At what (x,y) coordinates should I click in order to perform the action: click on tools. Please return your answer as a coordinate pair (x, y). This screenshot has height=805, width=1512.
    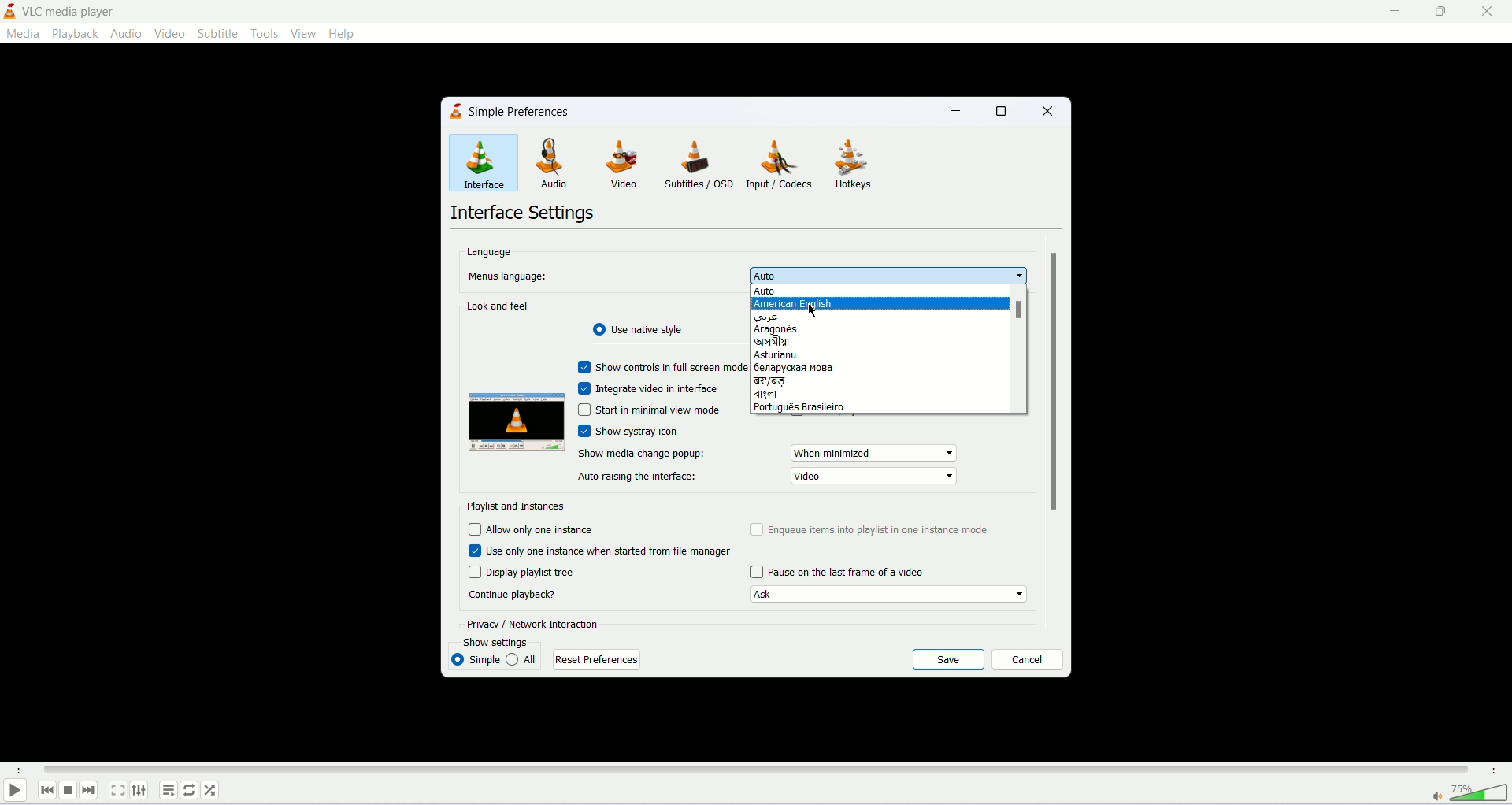
    Looking at the image, I should click on (268, 34).